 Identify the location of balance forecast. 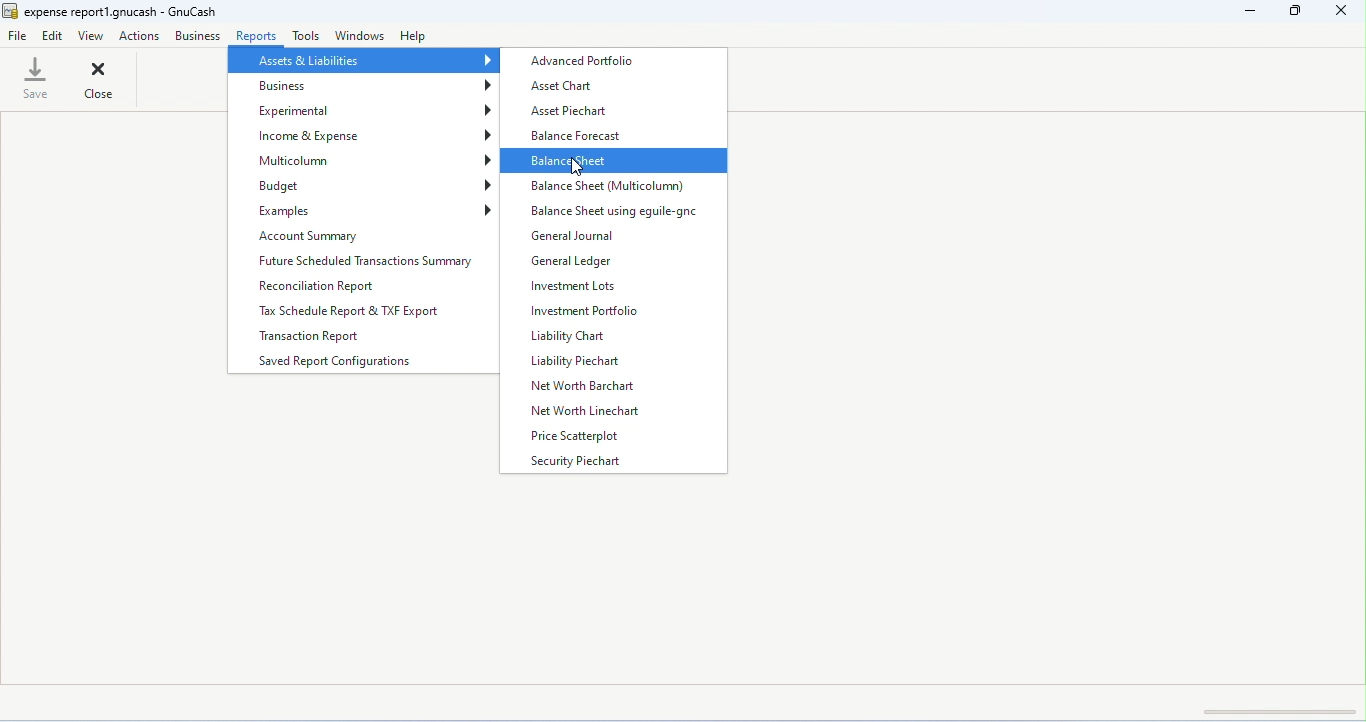
(578, 137).